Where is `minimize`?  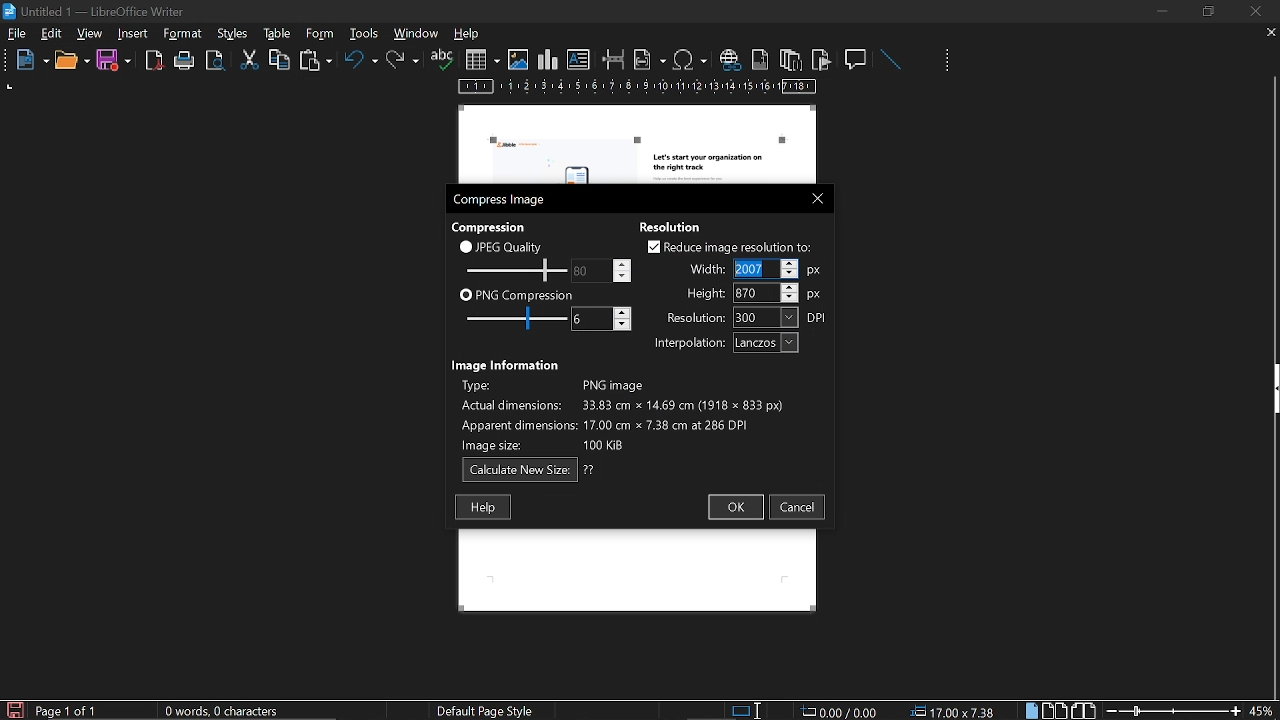 minimize is located at coordinates (1162, 11).